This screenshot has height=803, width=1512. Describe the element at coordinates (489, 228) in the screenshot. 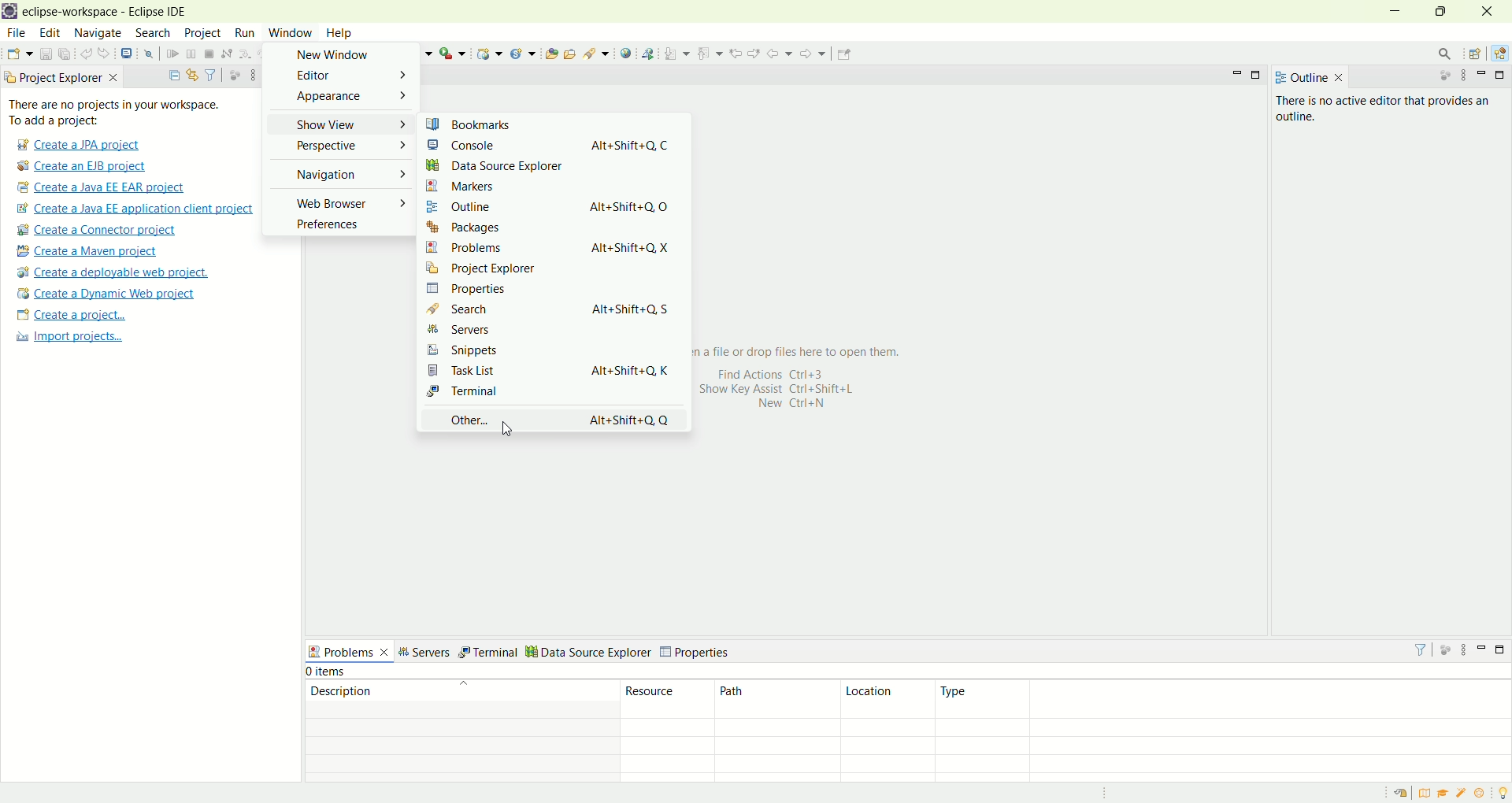

I see `packages` at that location.